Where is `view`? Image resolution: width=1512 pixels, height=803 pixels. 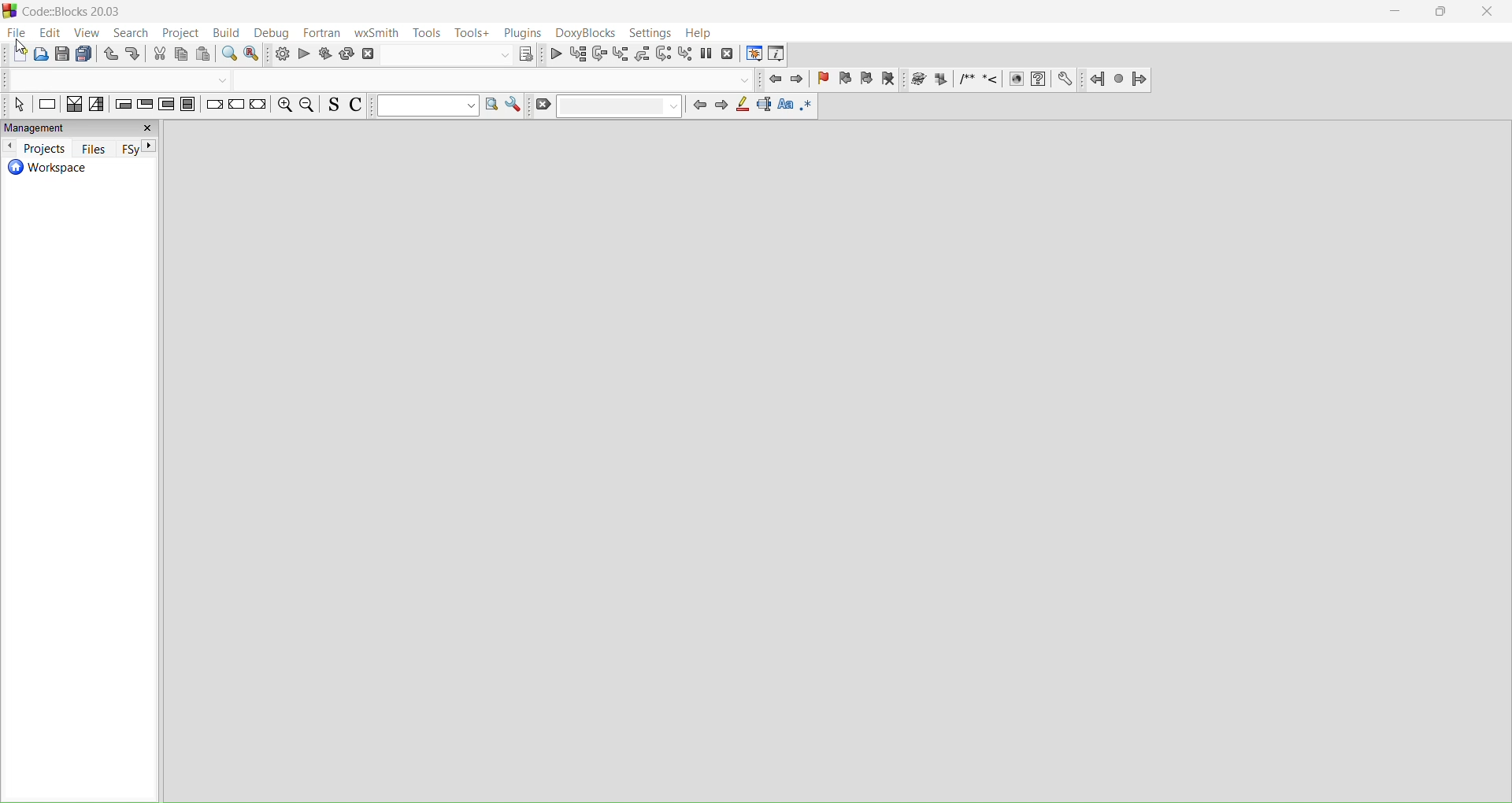 view is located at coordinates (89, 34).